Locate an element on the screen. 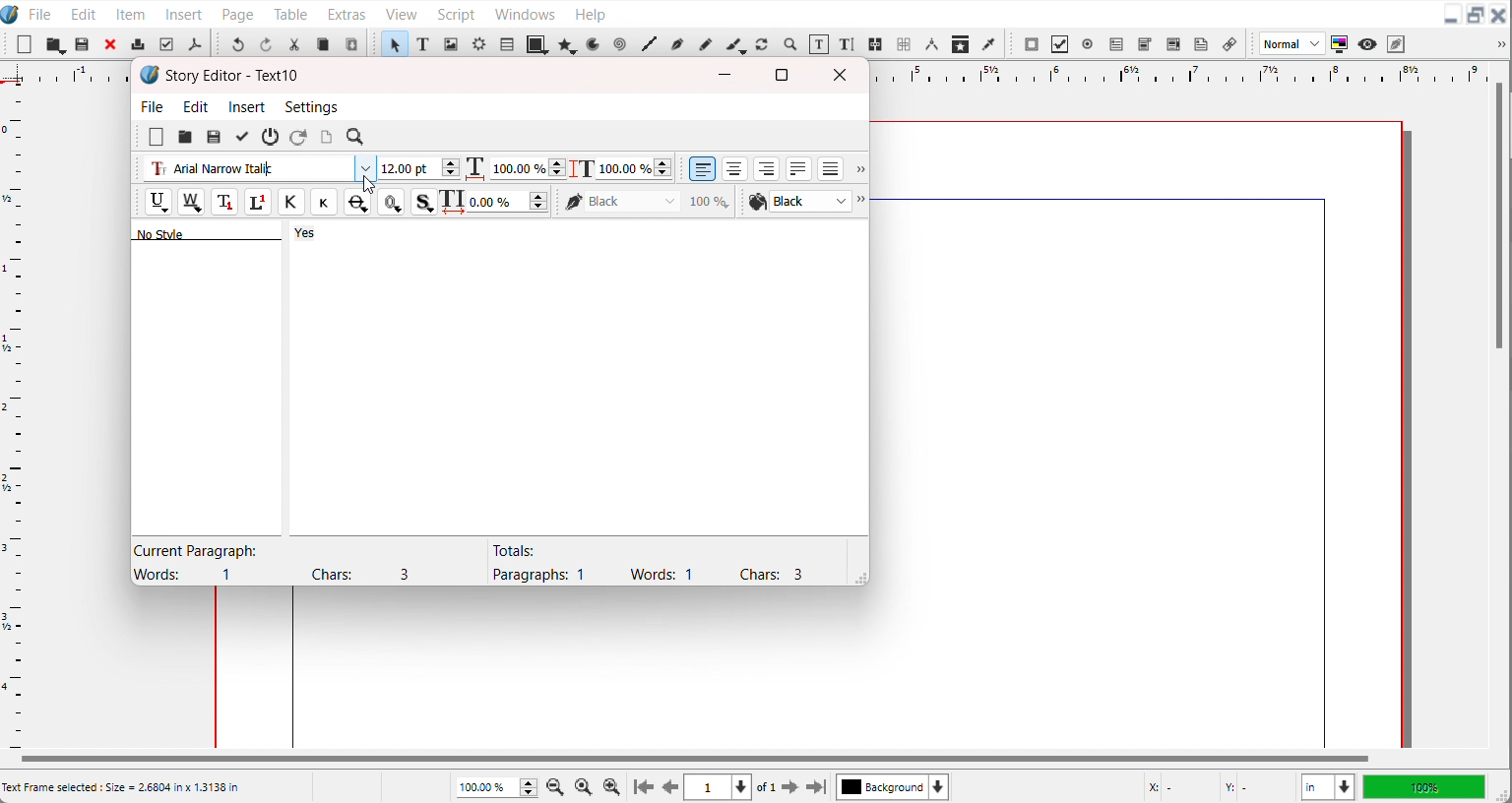 This screenshot has height=803, width=1512. Text is located at coordinates (225, 232).